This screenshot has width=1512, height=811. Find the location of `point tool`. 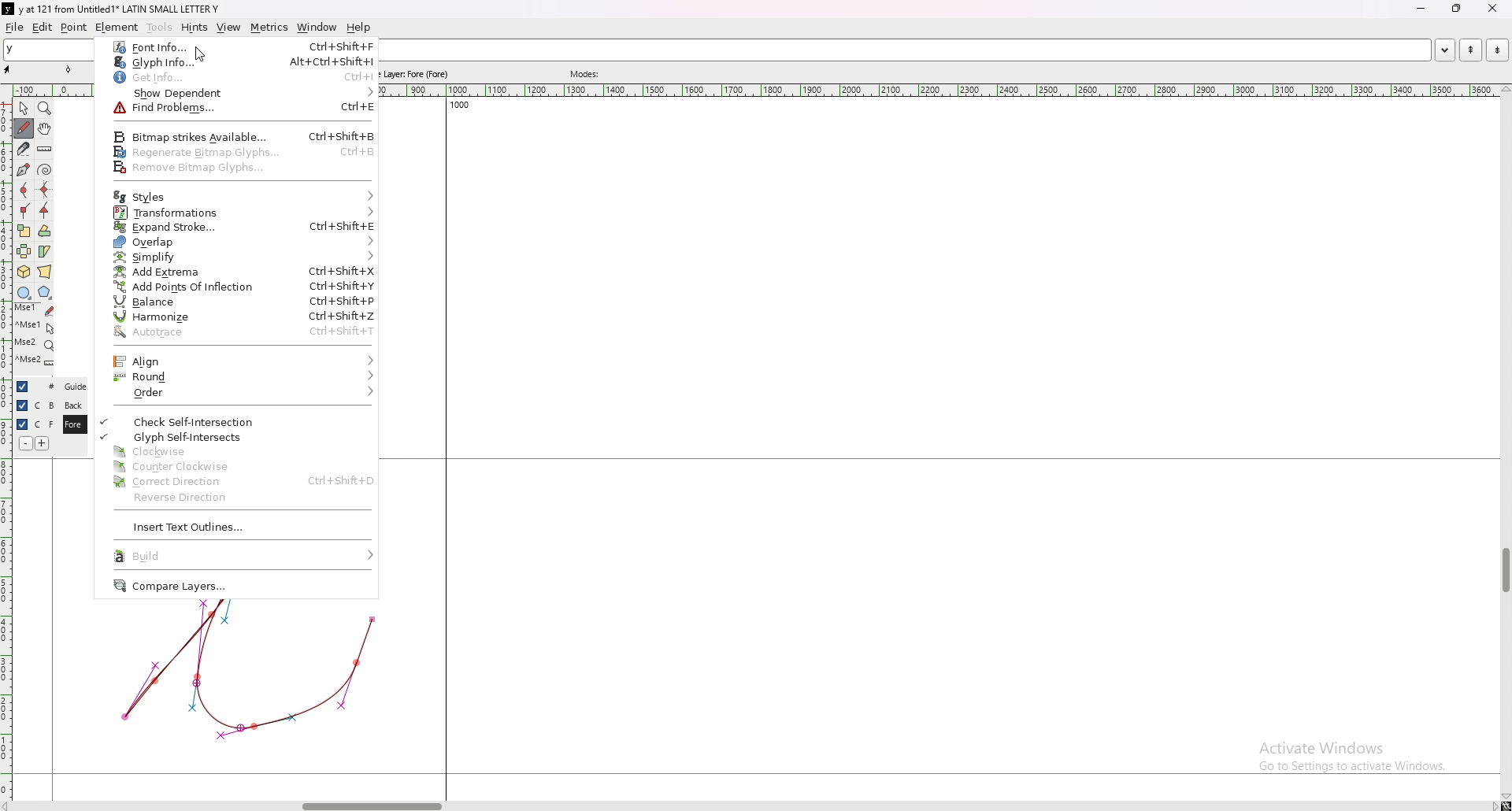

point tool is located at coordinates (69, 69).